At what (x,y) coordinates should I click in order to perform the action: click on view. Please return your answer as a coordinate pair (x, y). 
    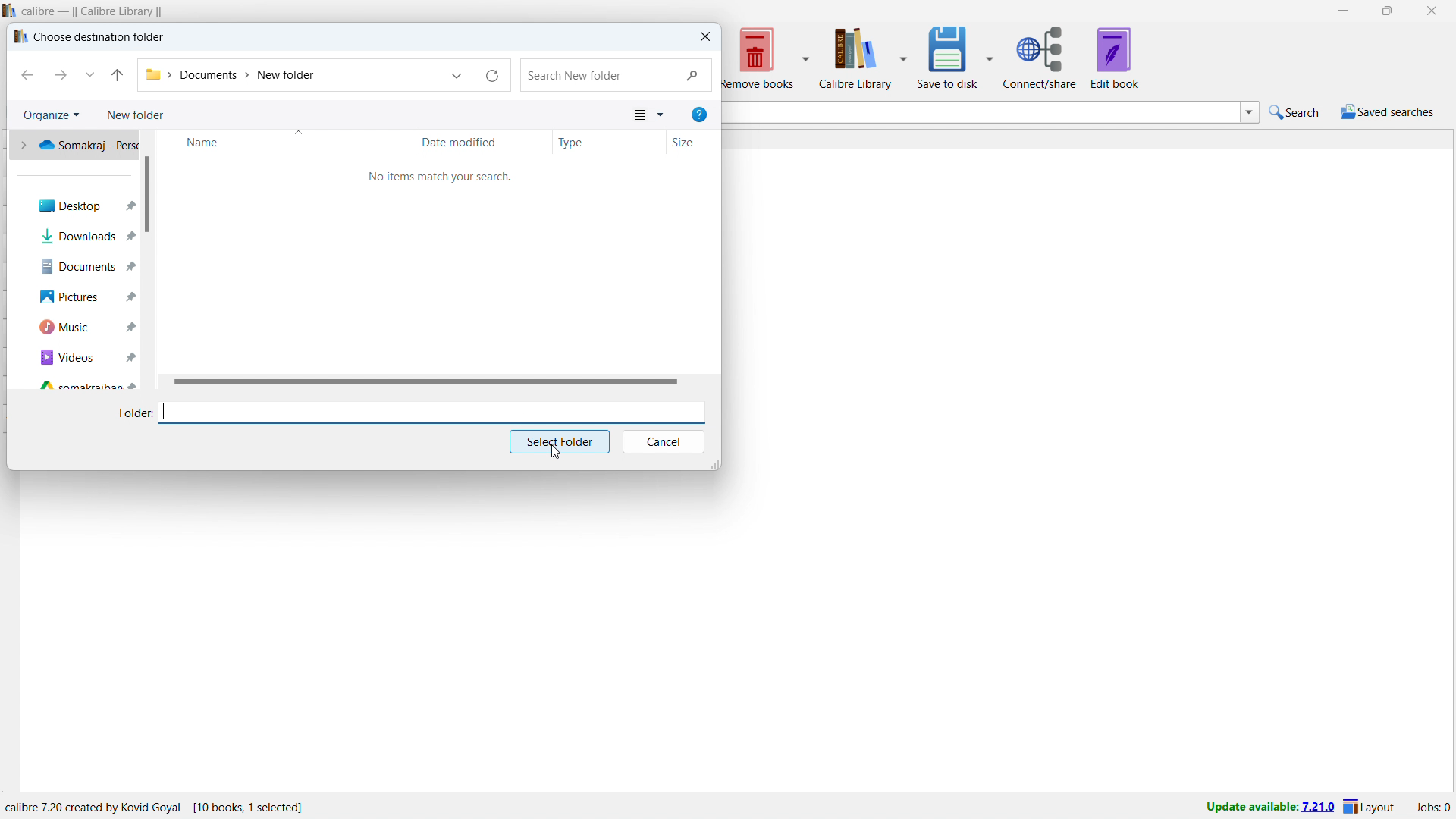
    Looking at the image, I should click on (648, 115).